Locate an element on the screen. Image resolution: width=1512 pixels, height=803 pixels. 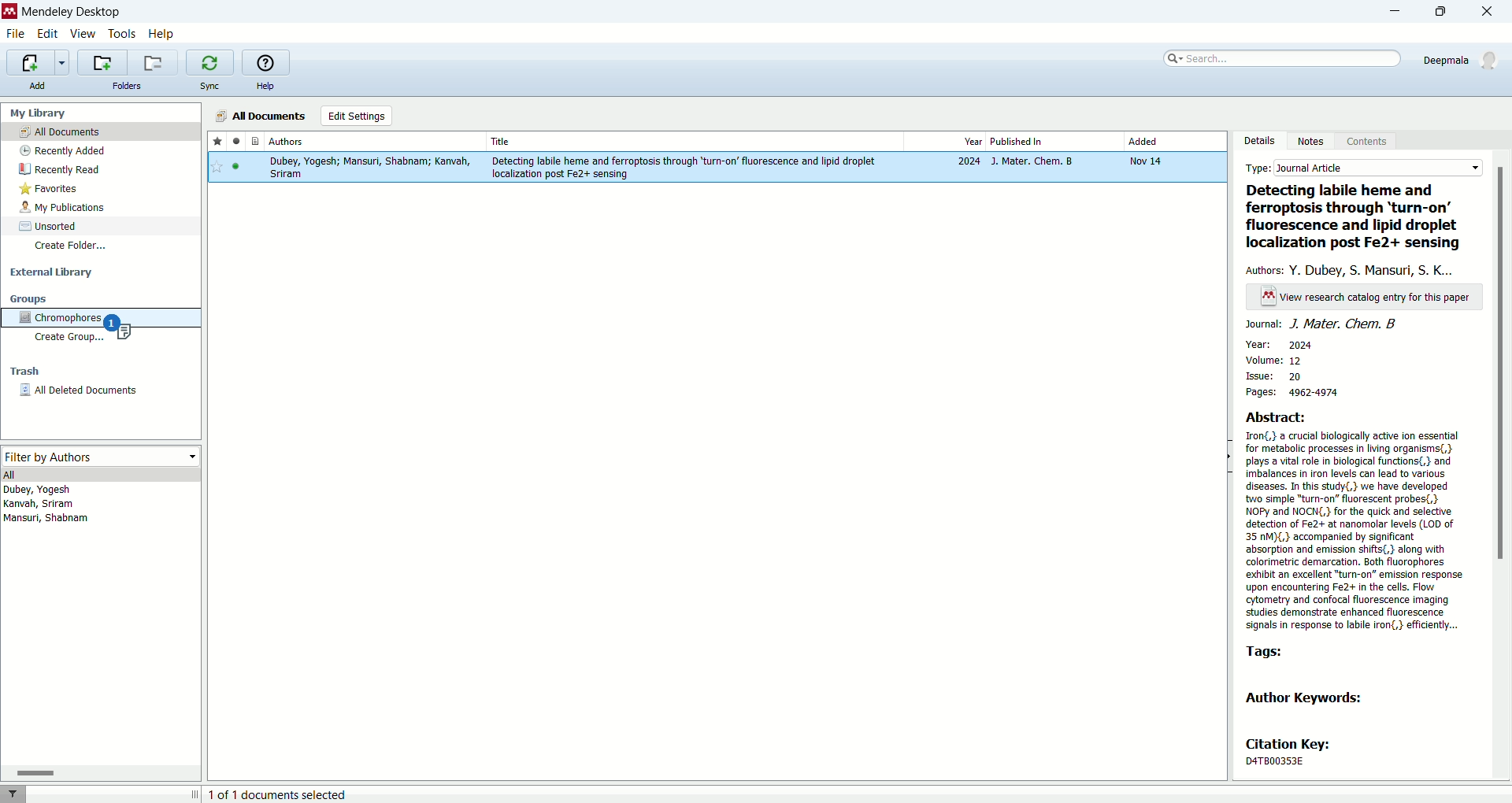
added is located at coordinates (1173, 141).